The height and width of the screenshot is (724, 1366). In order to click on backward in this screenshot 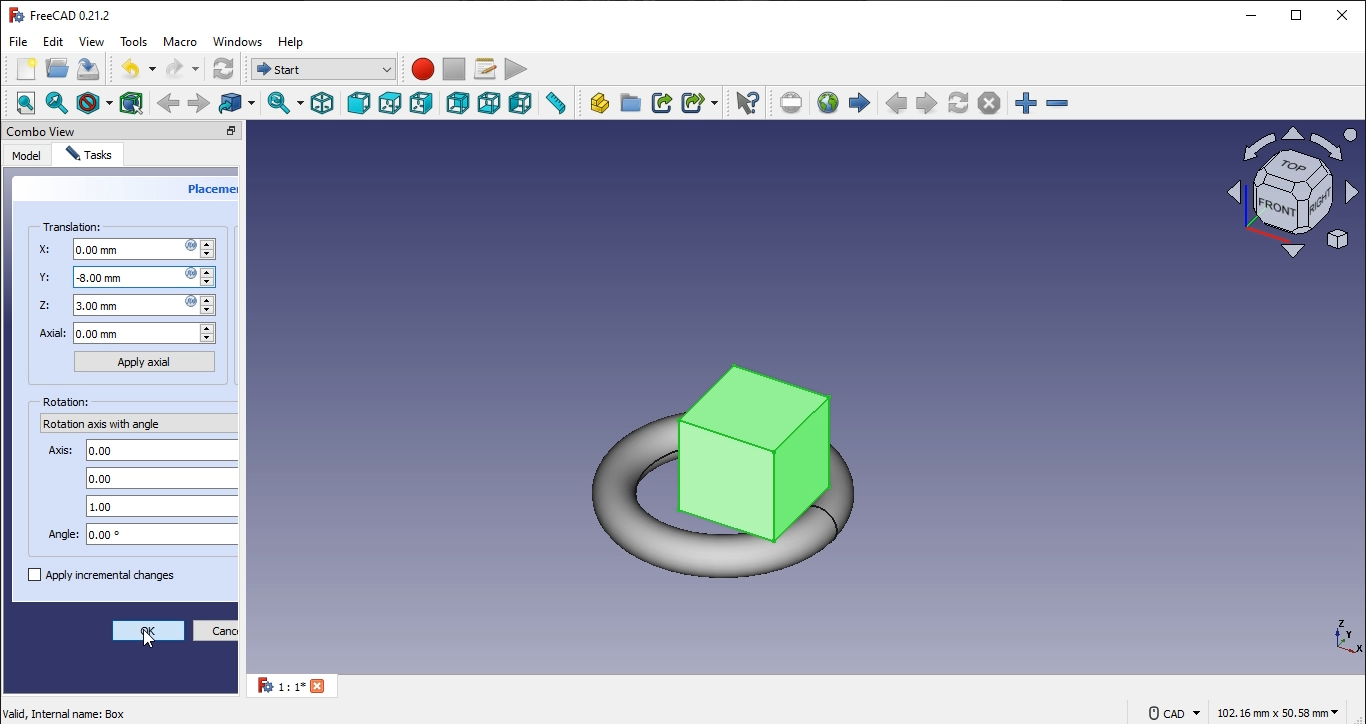, I will do `click(169, 102)`.